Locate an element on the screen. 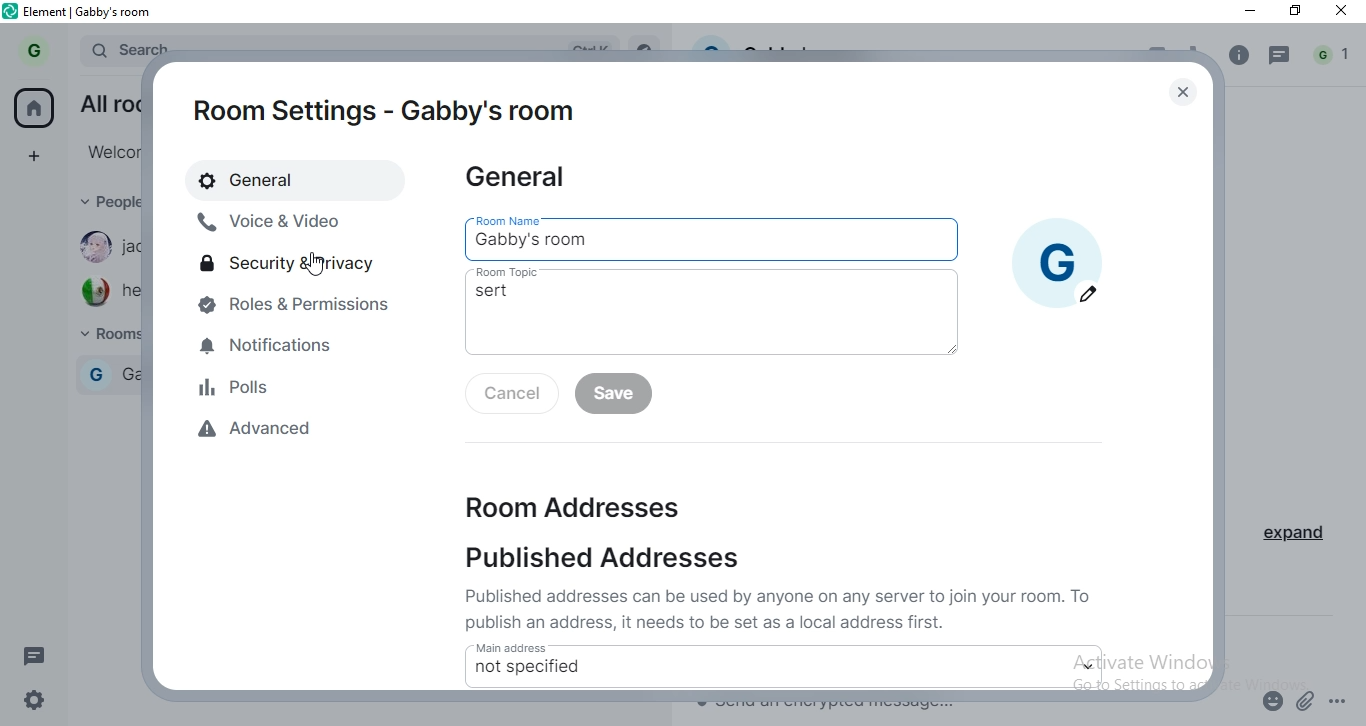 This screenshot has height=726, width=1366. G is located at coordinates (95, 374).